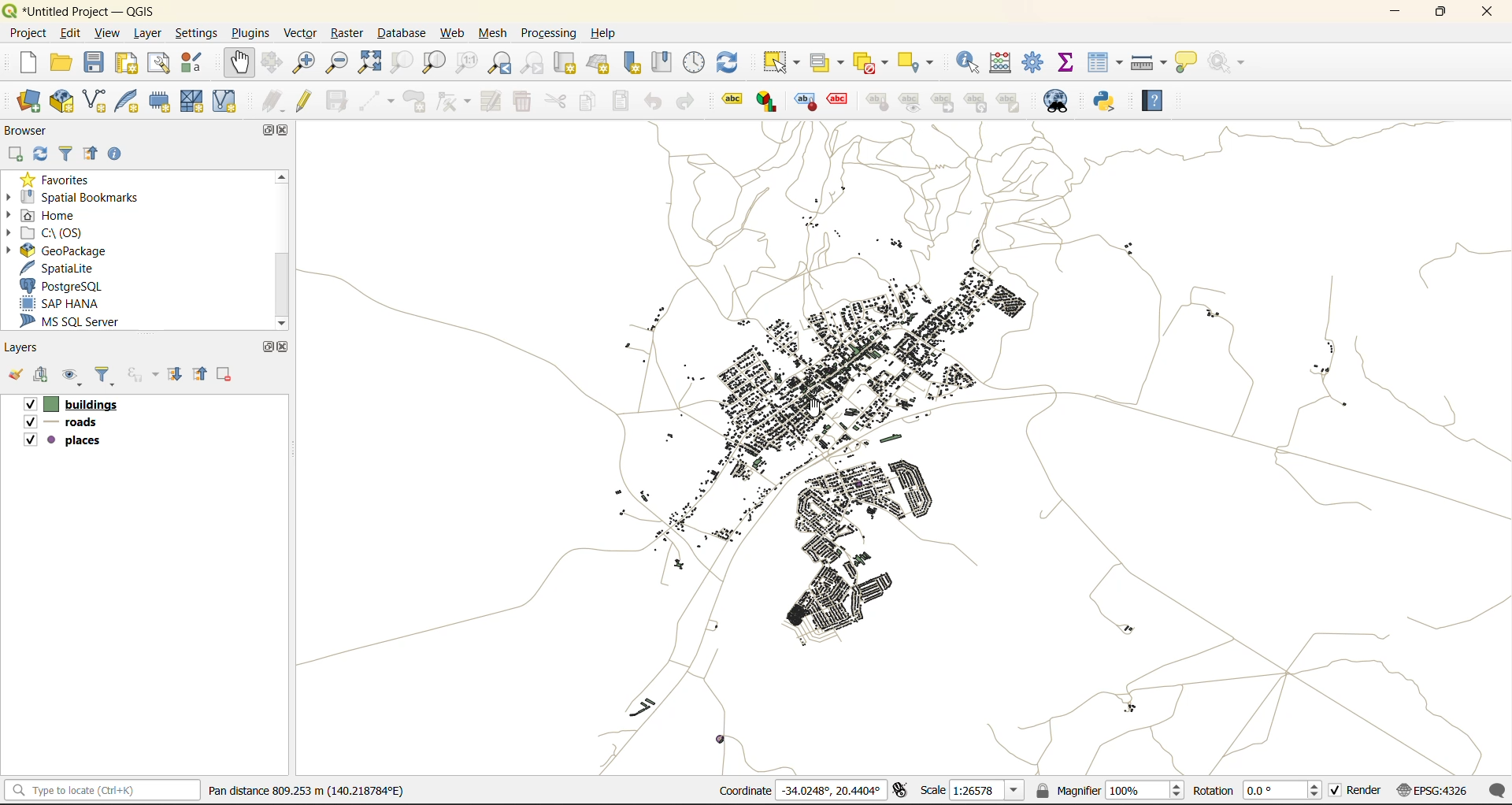 This screenshot has height=805, width=1512. Describe the element at coordinates (1151, 63) in the screenshot. I see `measure line` at that location.